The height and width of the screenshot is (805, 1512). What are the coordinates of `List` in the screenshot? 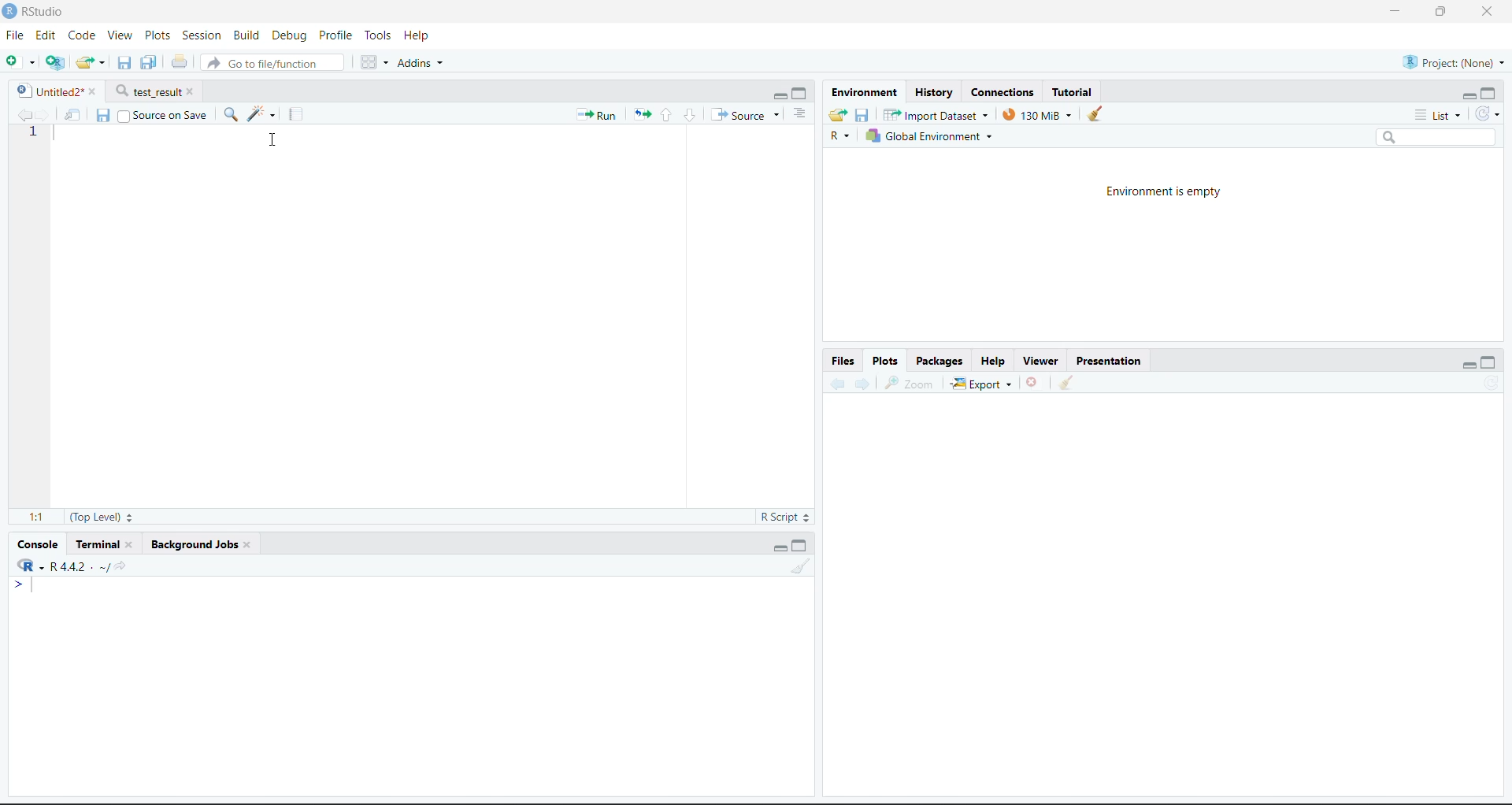 It's located at (1437, 114).